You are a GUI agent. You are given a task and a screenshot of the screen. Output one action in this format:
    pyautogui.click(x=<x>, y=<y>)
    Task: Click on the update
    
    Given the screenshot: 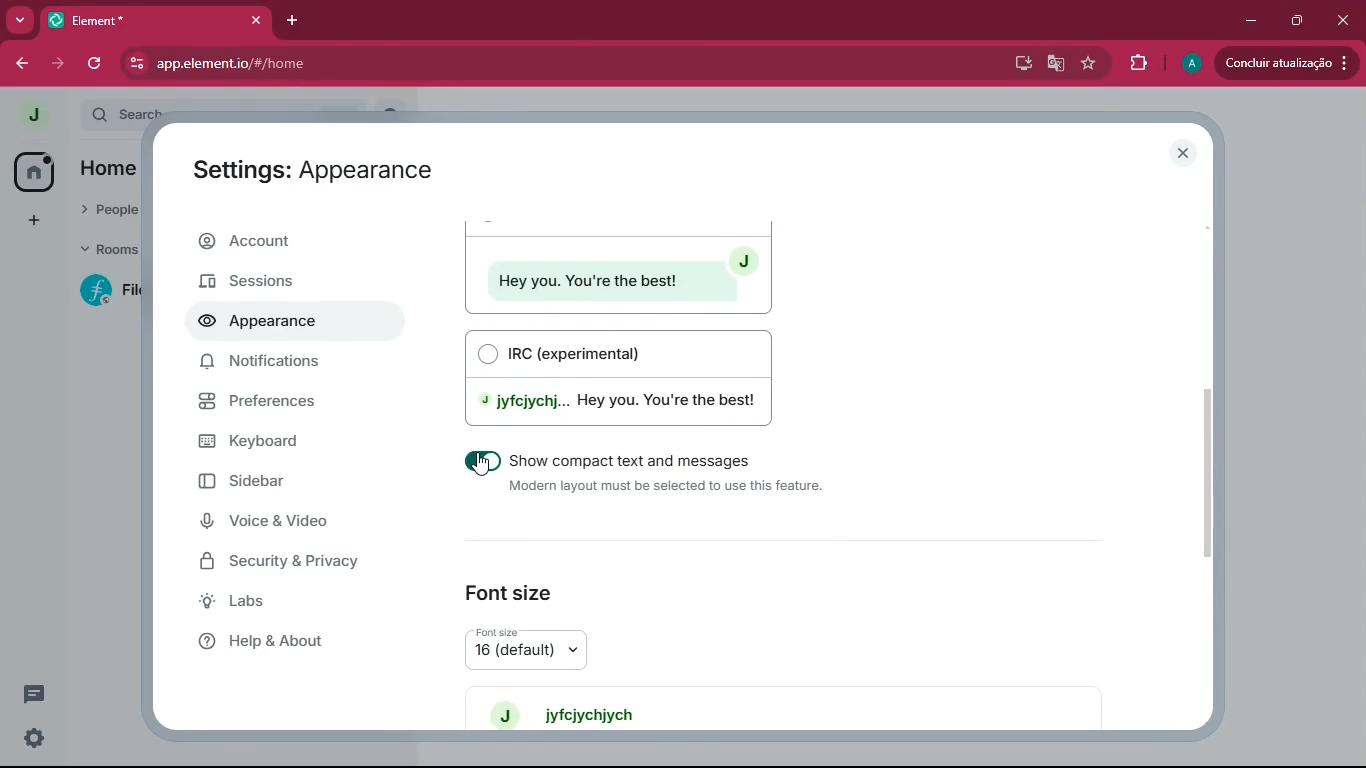 What is the action you would take?
    pyautogui.click(x=1286, y=63)
    